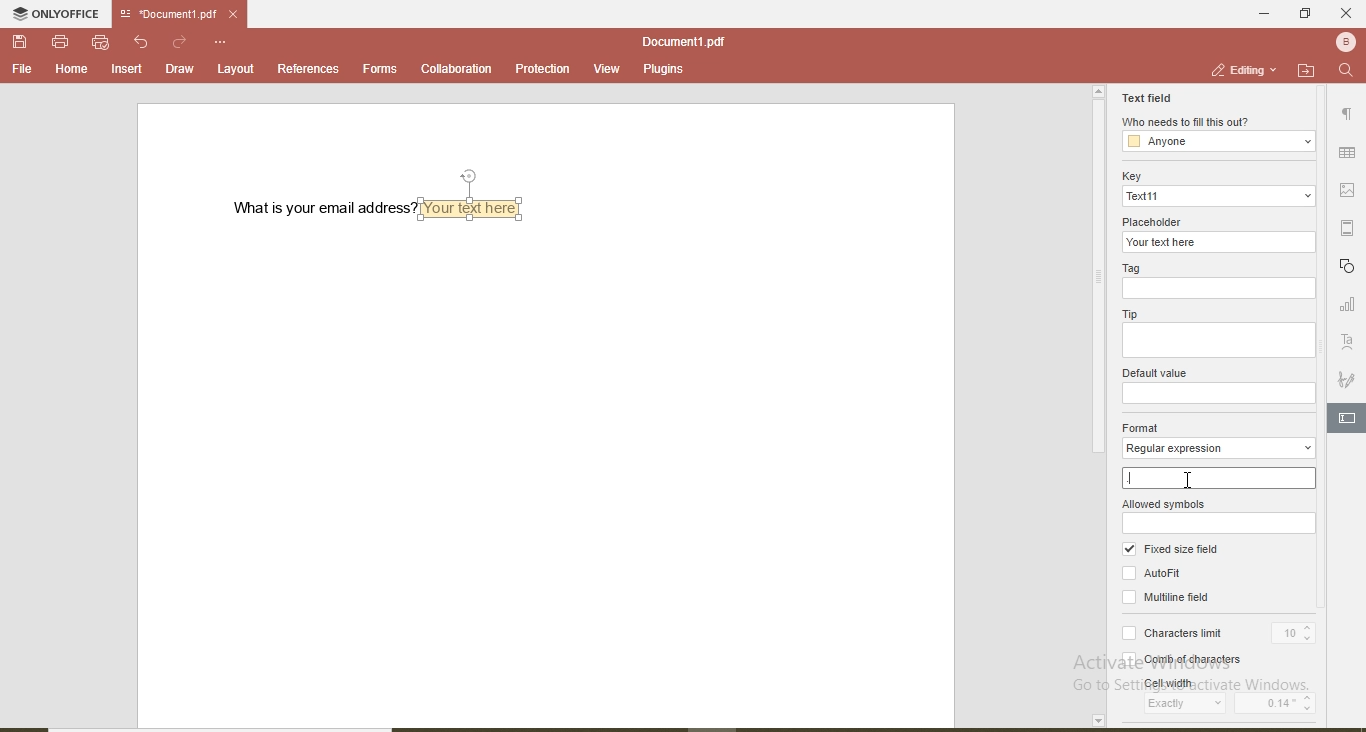  I want to click on cell width, so click(1178, 682).